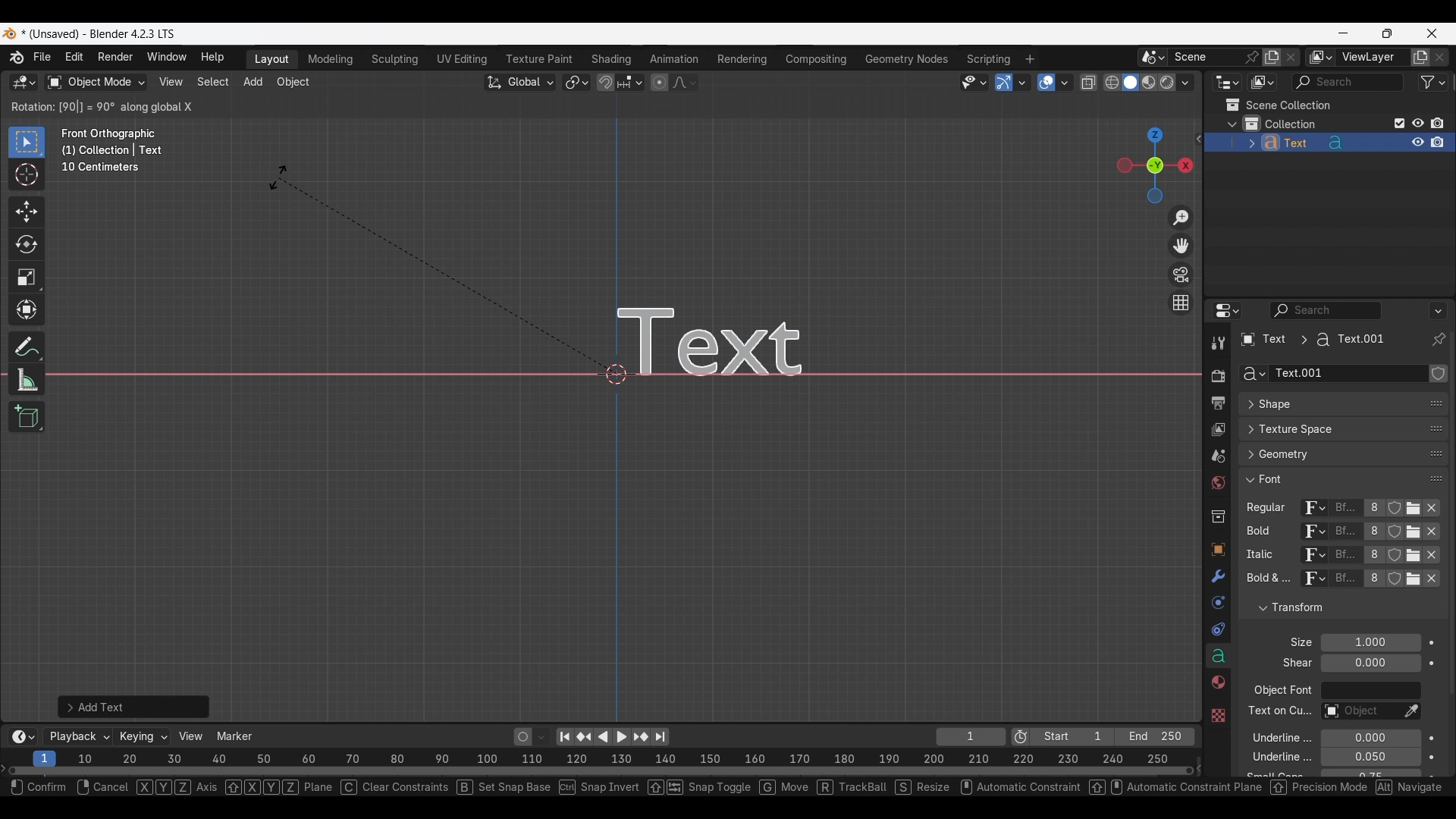  I want to click on Editor type, so click(1227, 310).